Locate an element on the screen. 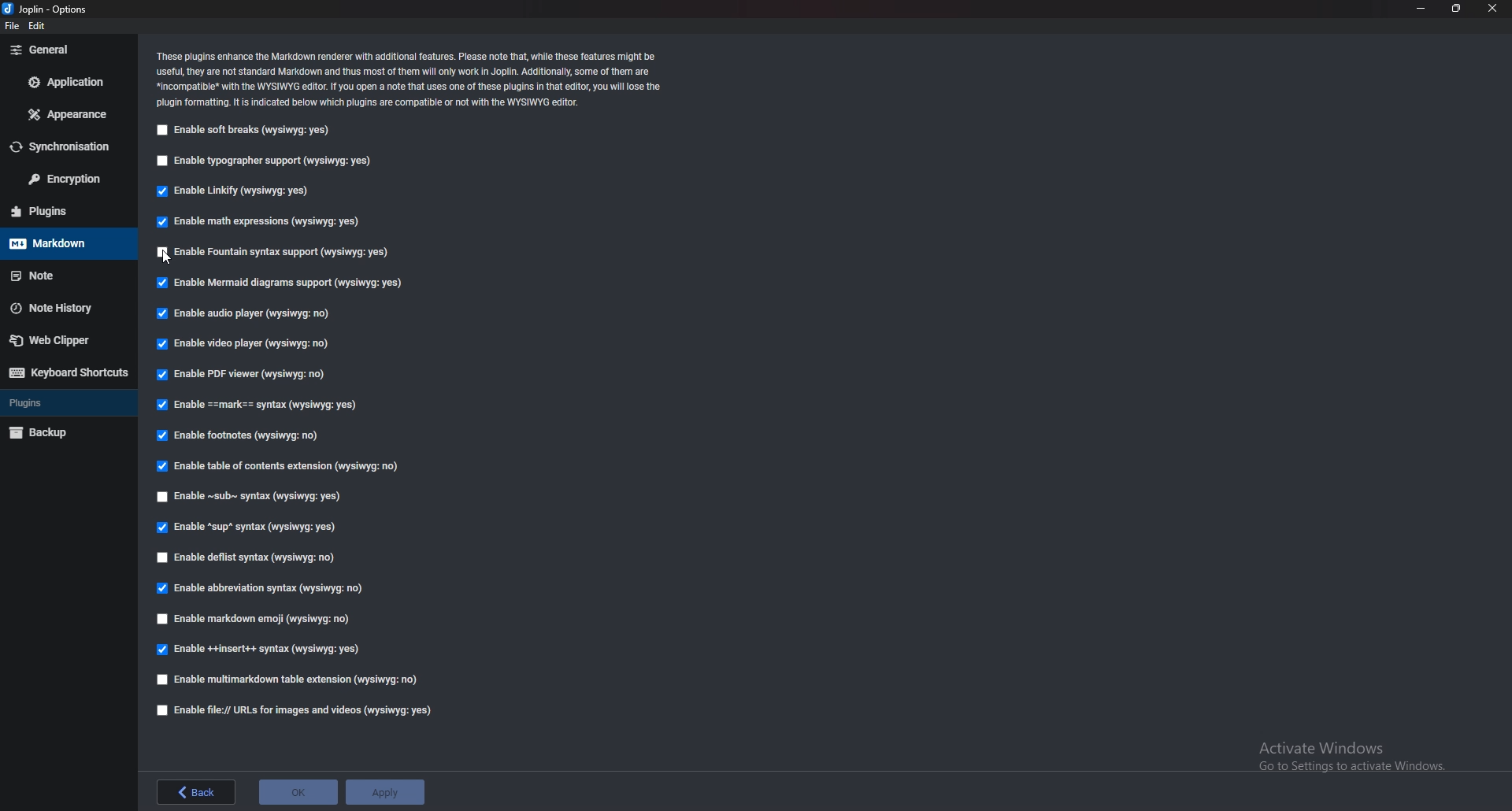 This screenshot has width=1512, height=811. apply is located at coordinates (384, 792).